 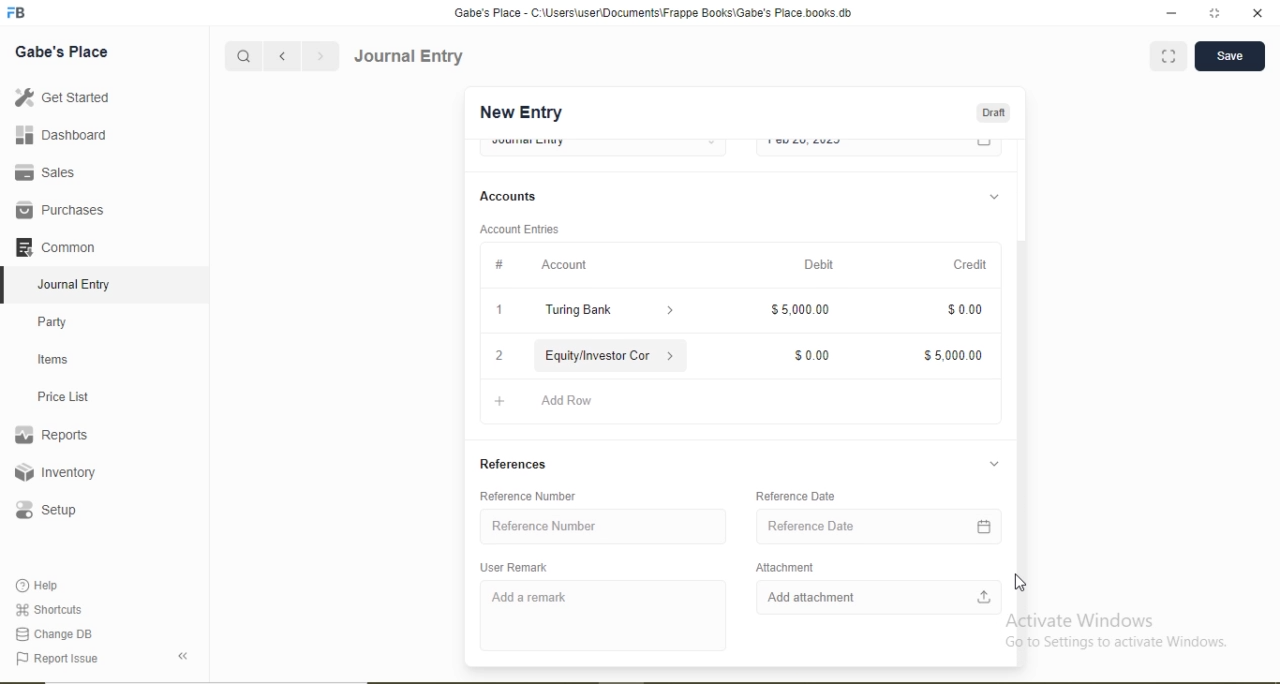 I want to click on Sales, so click(x=42, y=172).